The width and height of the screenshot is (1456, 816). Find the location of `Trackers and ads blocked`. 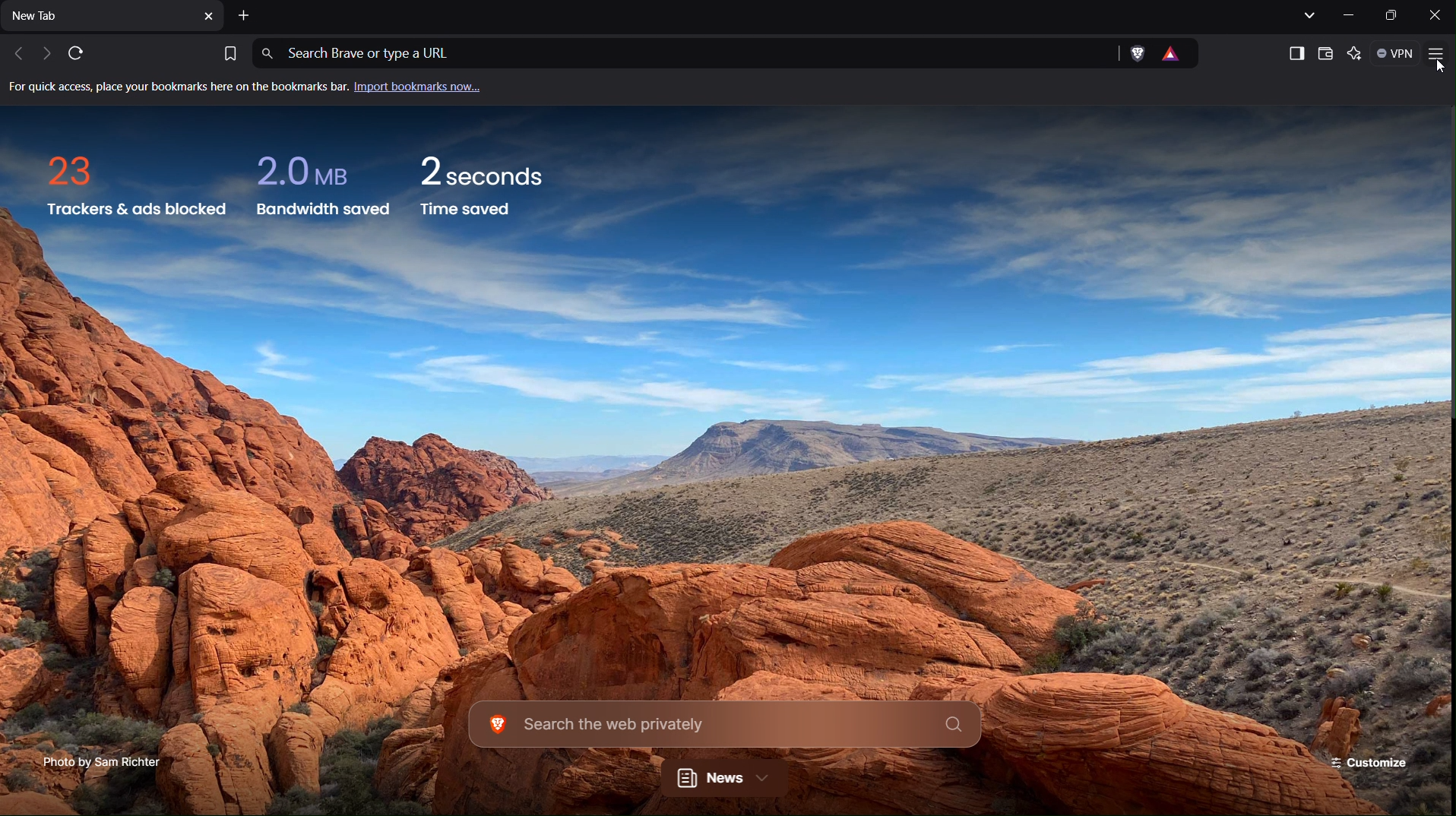

Trackers and ads blocked is located at coordinates (135, 184).